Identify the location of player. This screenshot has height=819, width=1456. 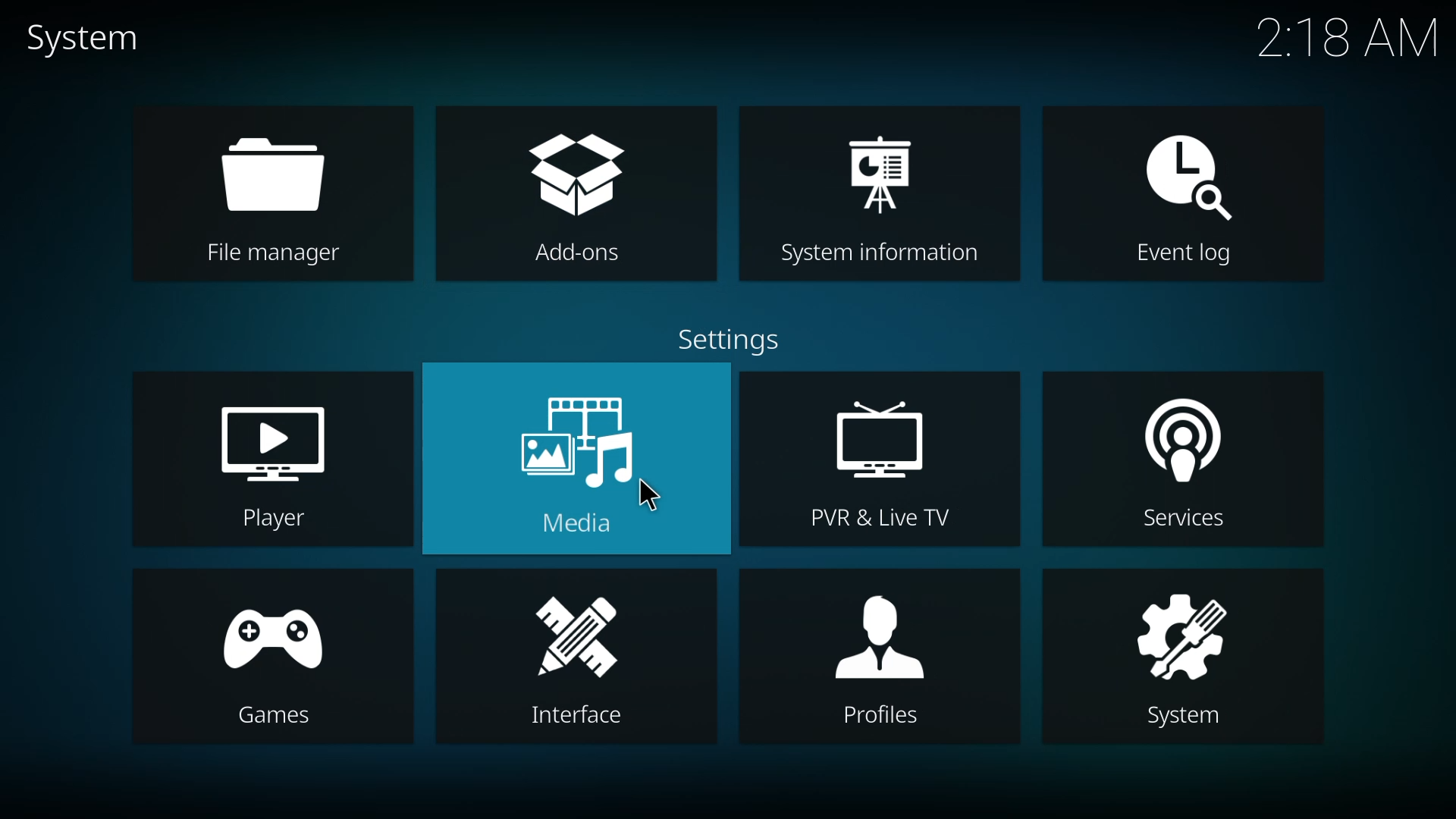
(280, 463).